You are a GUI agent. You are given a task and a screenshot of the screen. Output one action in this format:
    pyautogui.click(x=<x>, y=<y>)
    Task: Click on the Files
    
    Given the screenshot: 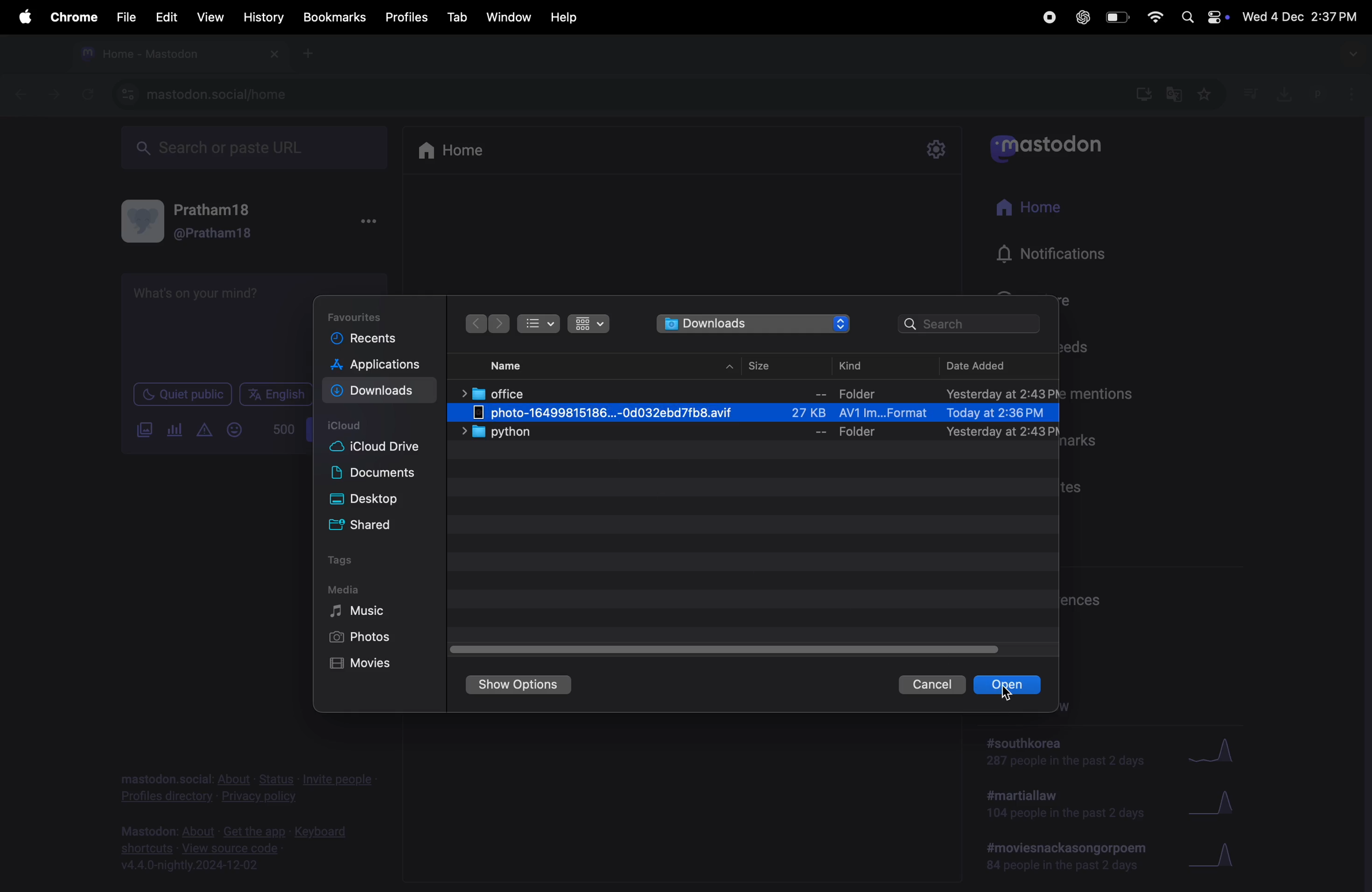 What is the action you would take?
    pyautogui.click(x=124, y=16)
    